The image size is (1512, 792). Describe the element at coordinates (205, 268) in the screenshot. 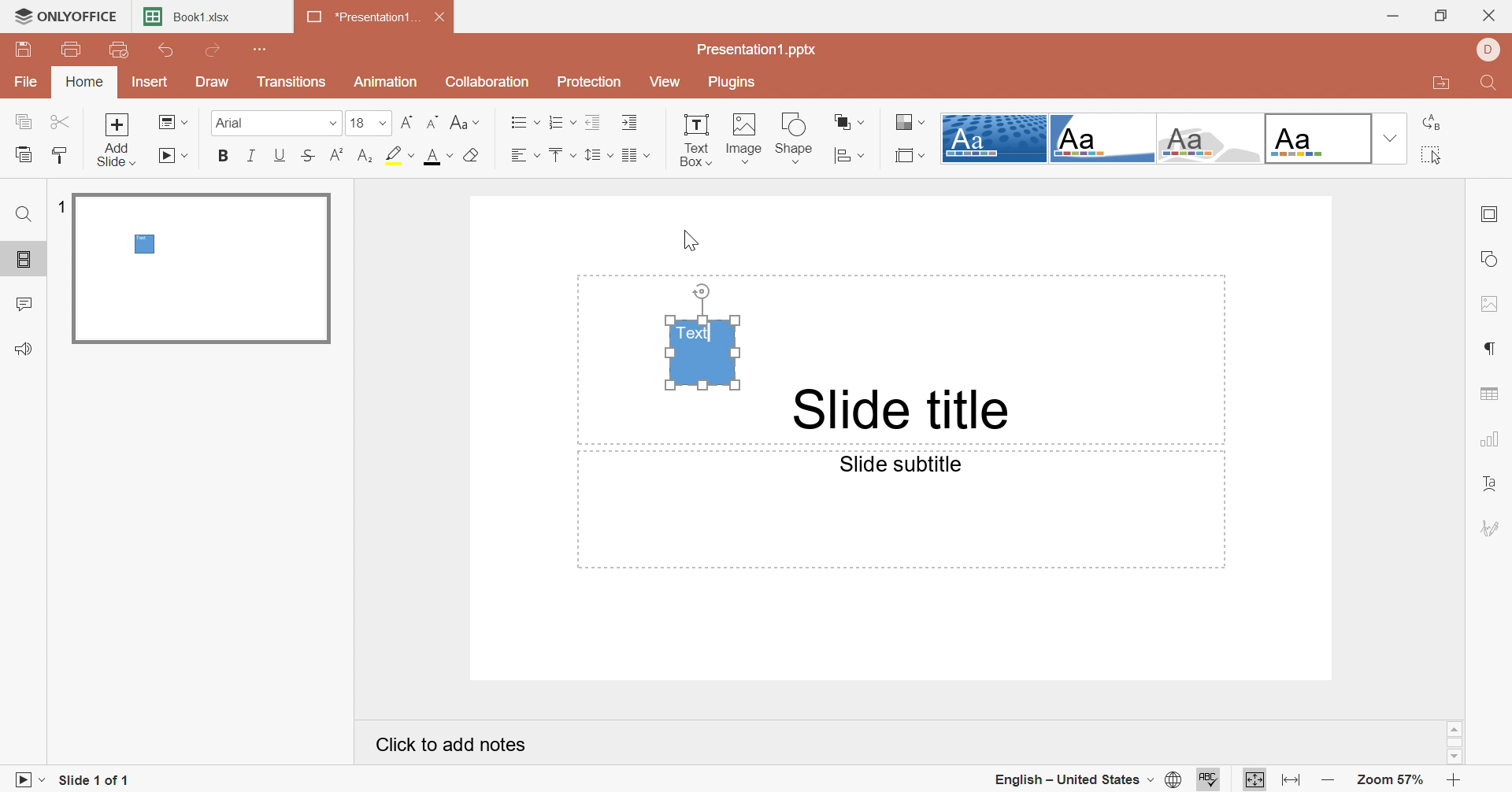

I see `Slide 1` at that location.